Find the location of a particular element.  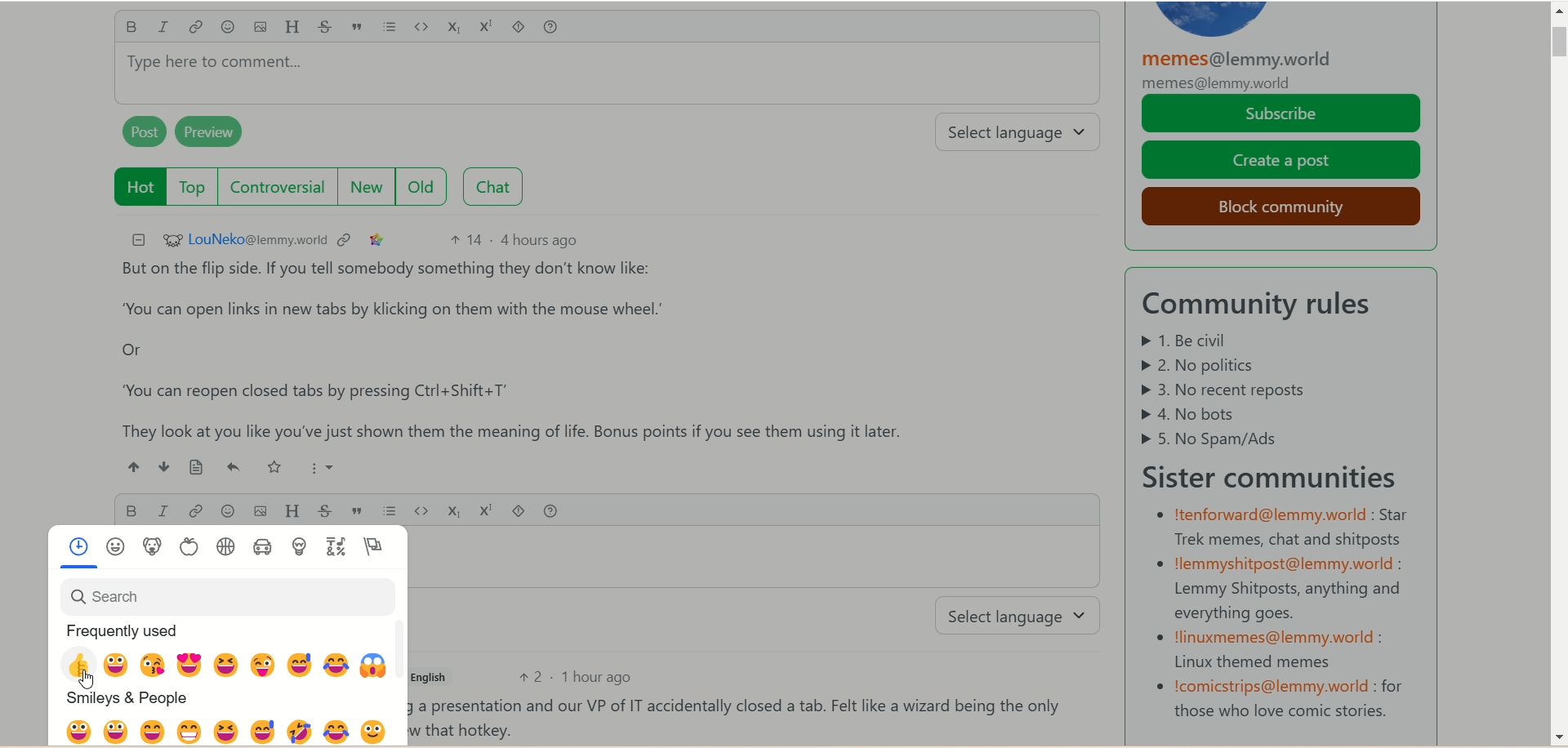

help is located at coordinates (560, 28).